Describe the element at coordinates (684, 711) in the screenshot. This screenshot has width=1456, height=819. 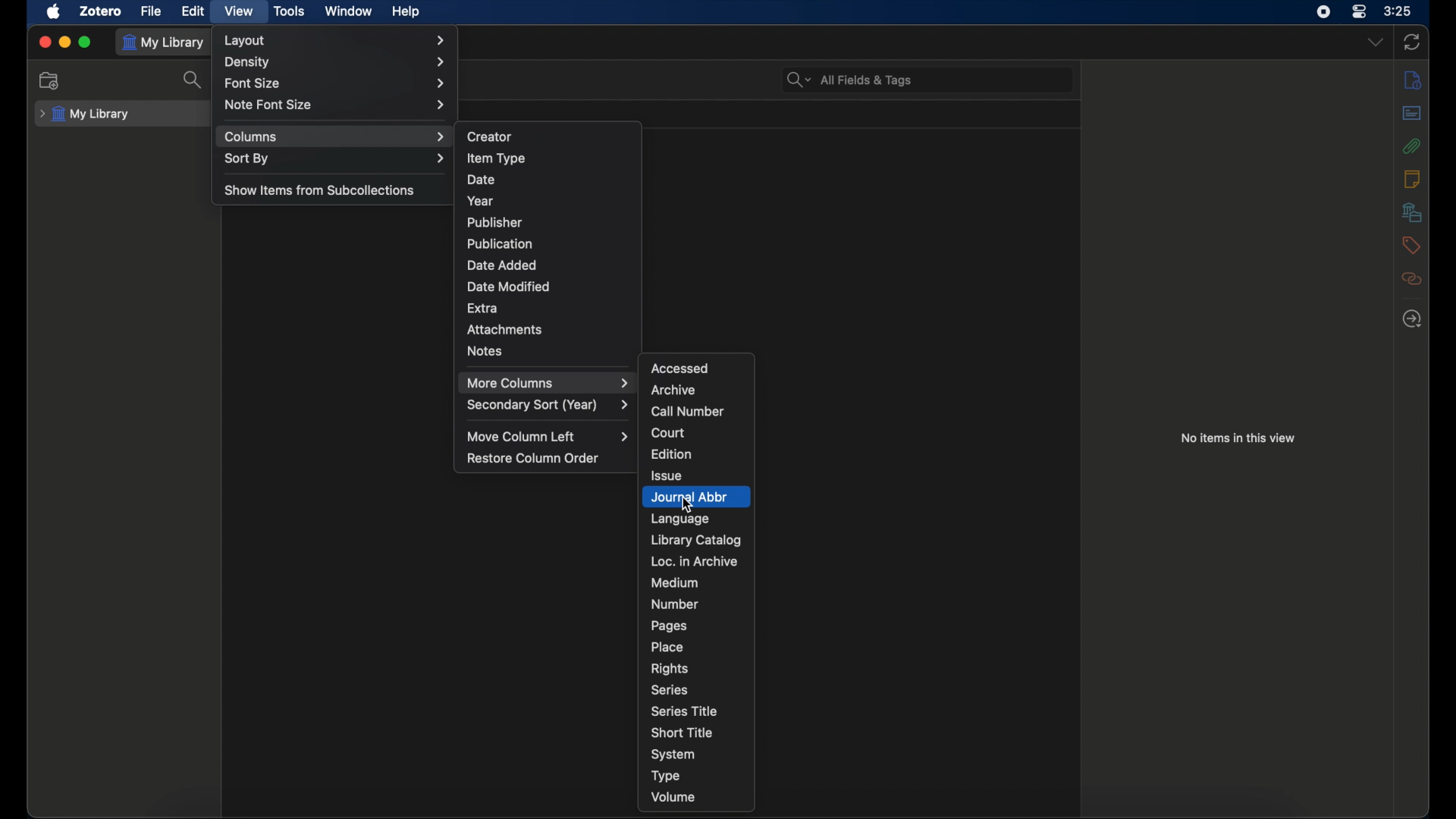
I see `series title` at that location.